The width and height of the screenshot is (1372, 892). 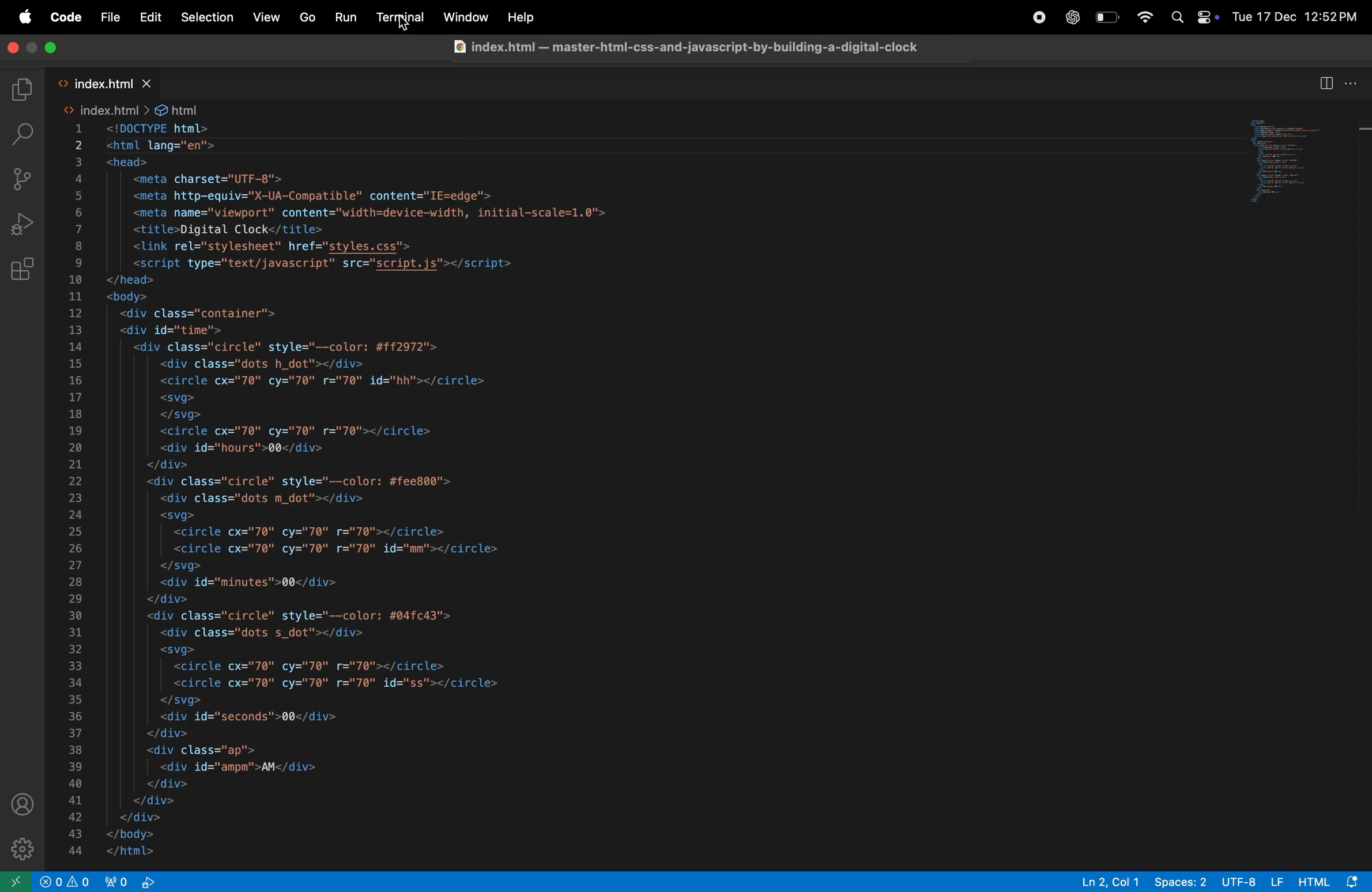 I want to click on terminal, so click(x=401, y=18).